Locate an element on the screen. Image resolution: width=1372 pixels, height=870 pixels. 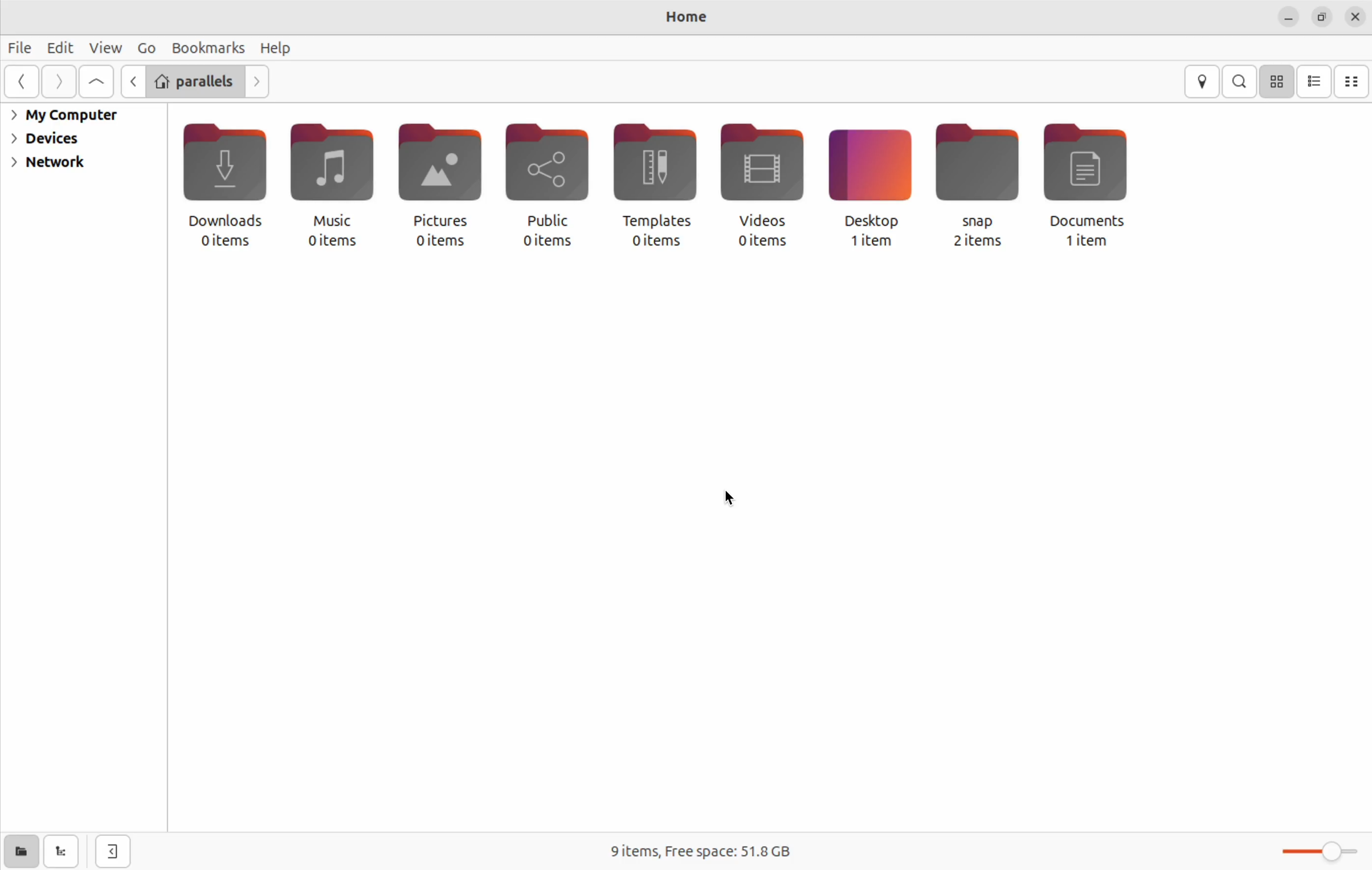
go forward is located at coordinates (258, 81).